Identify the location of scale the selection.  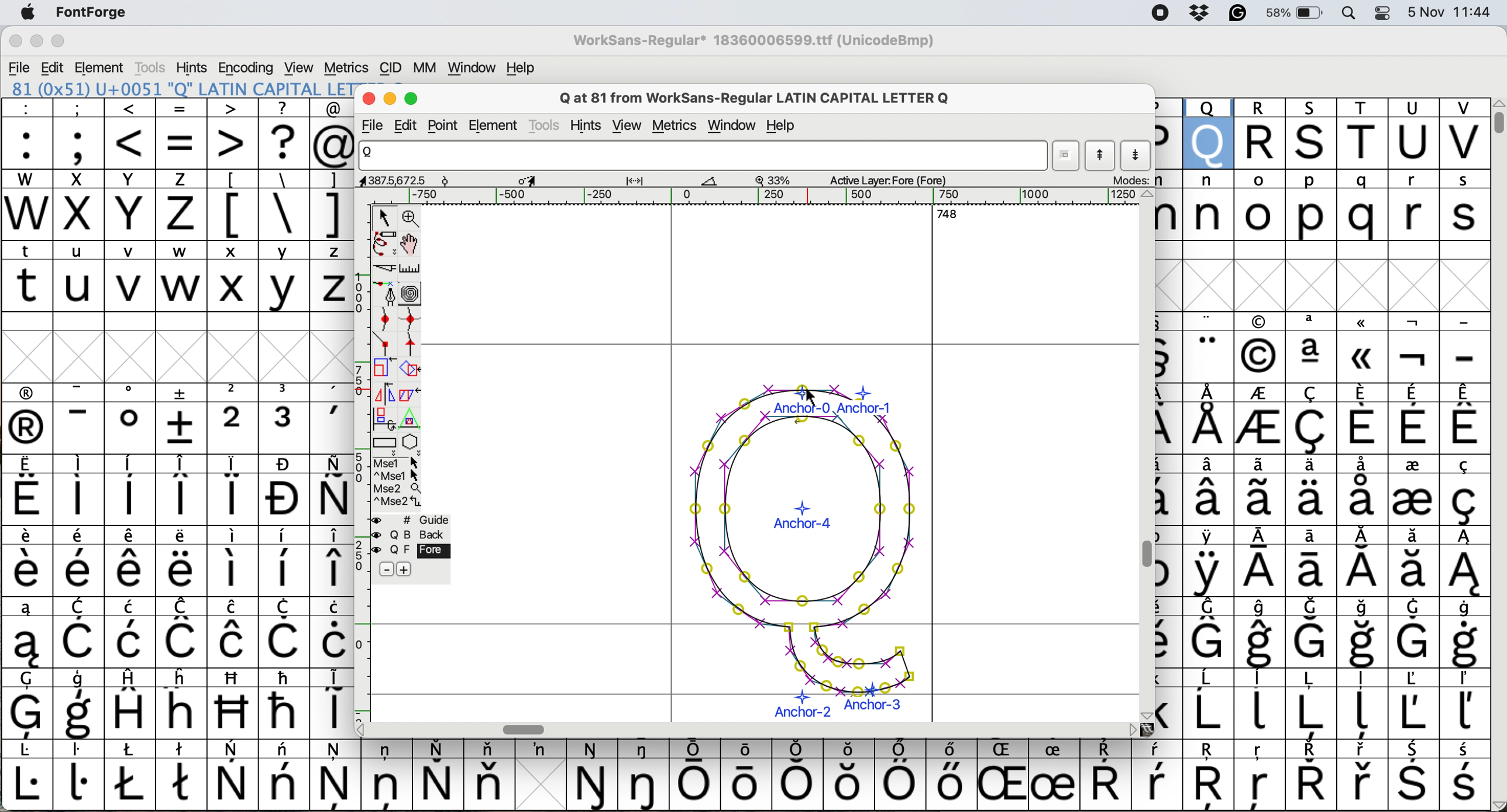
(381, 370).